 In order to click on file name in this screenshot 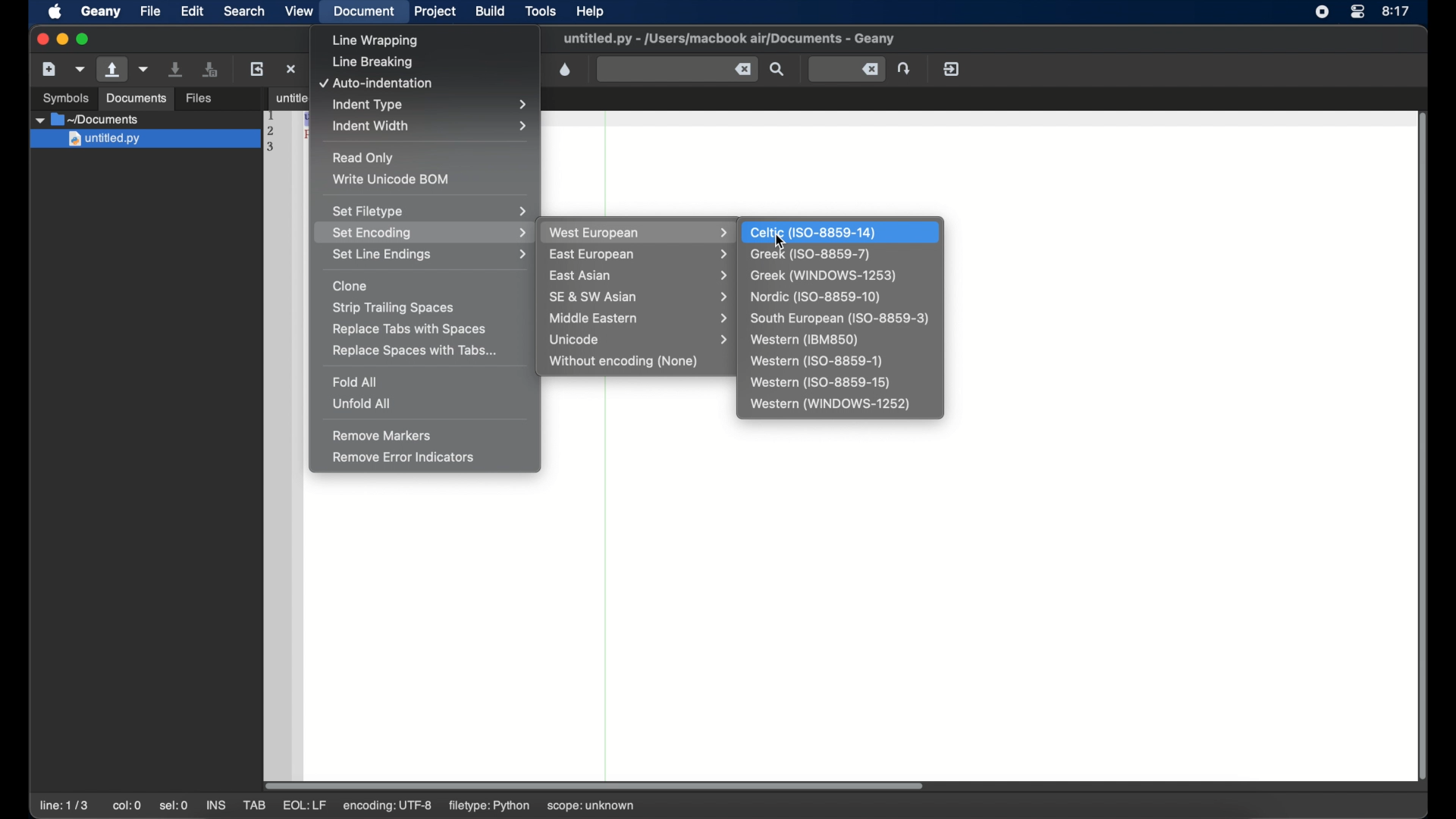, I will do `click(729, 39)`.